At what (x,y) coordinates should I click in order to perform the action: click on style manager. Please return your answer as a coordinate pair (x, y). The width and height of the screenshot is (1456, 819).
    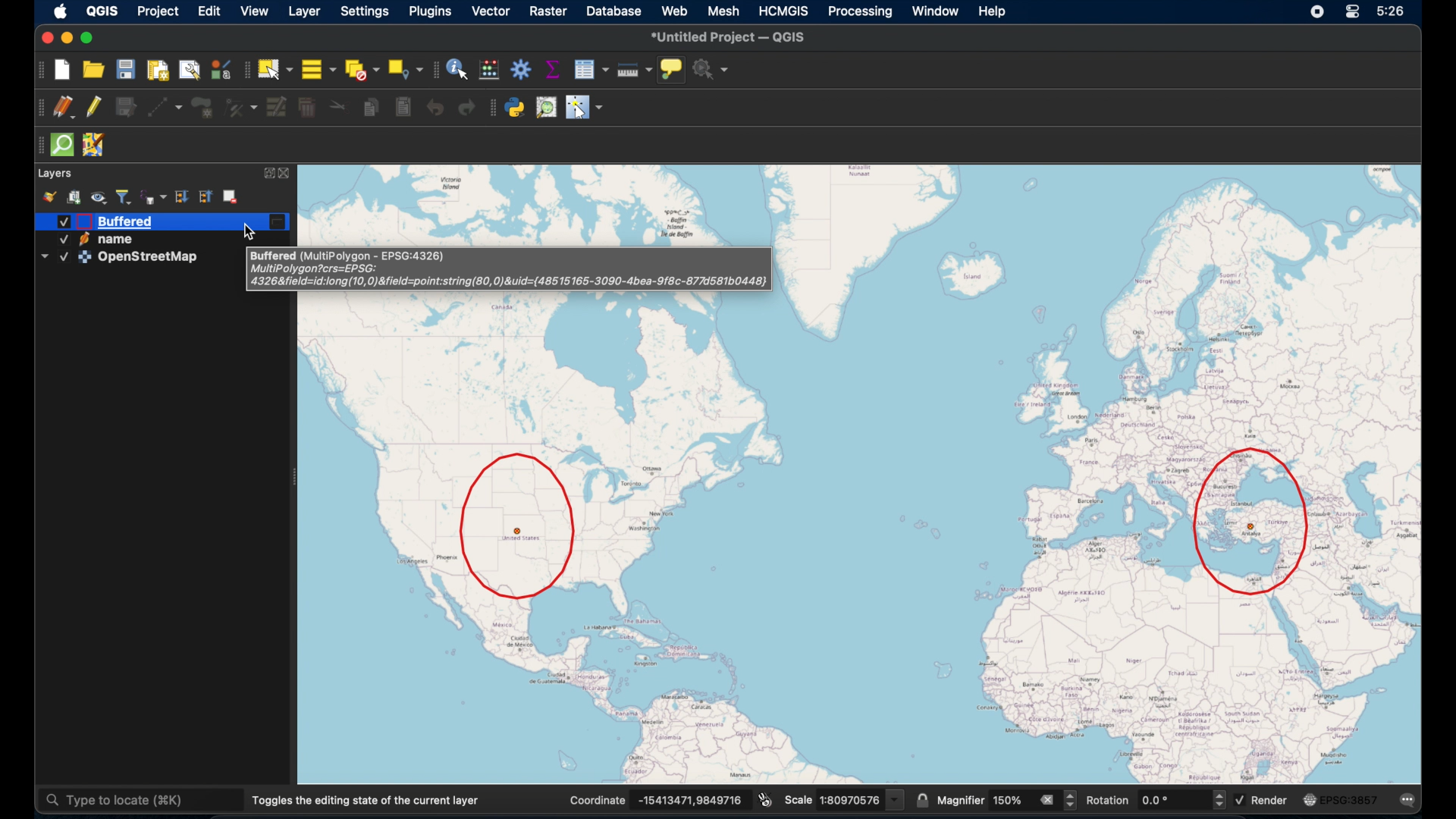
    Looking at the image, I should click on (49, 195).